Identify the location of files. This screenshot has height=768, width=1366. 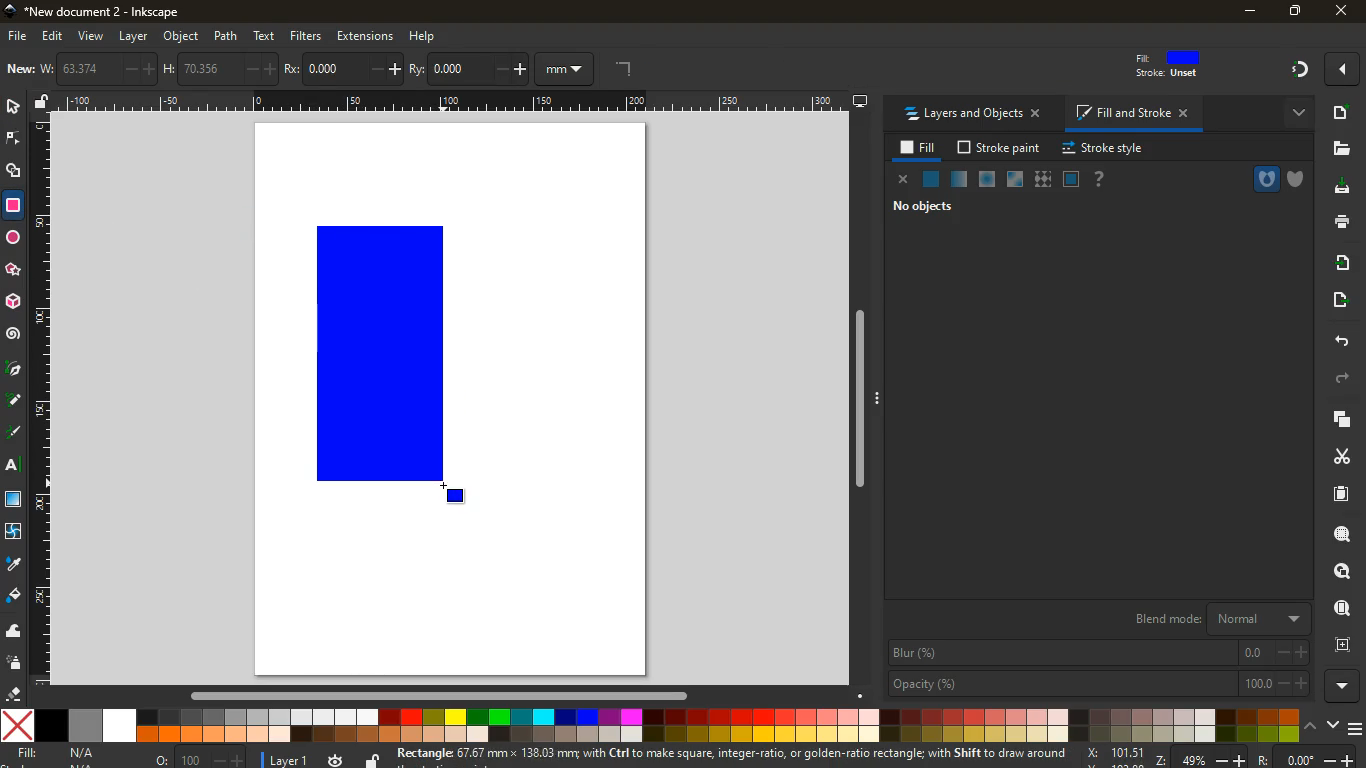
(1334, 148).